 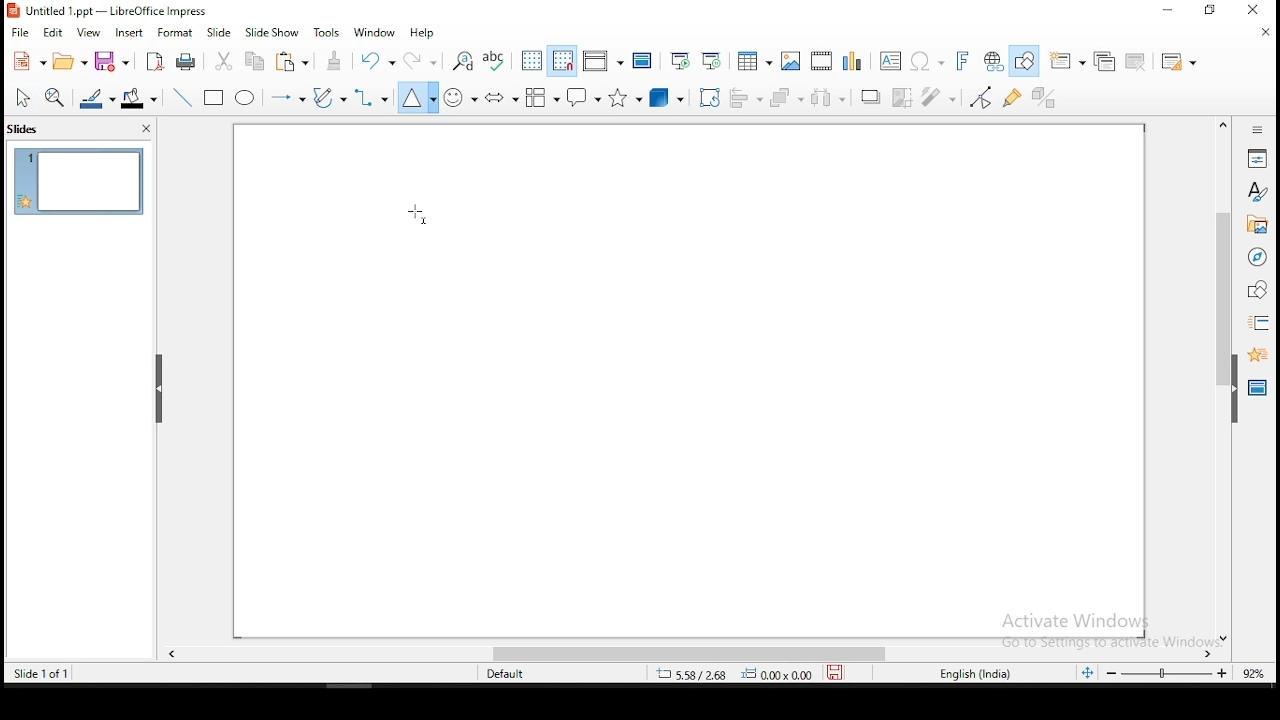 What do you see at coordinates (260, 64) in the screenshot?
I see `copy` at bounding box center [260, 64].